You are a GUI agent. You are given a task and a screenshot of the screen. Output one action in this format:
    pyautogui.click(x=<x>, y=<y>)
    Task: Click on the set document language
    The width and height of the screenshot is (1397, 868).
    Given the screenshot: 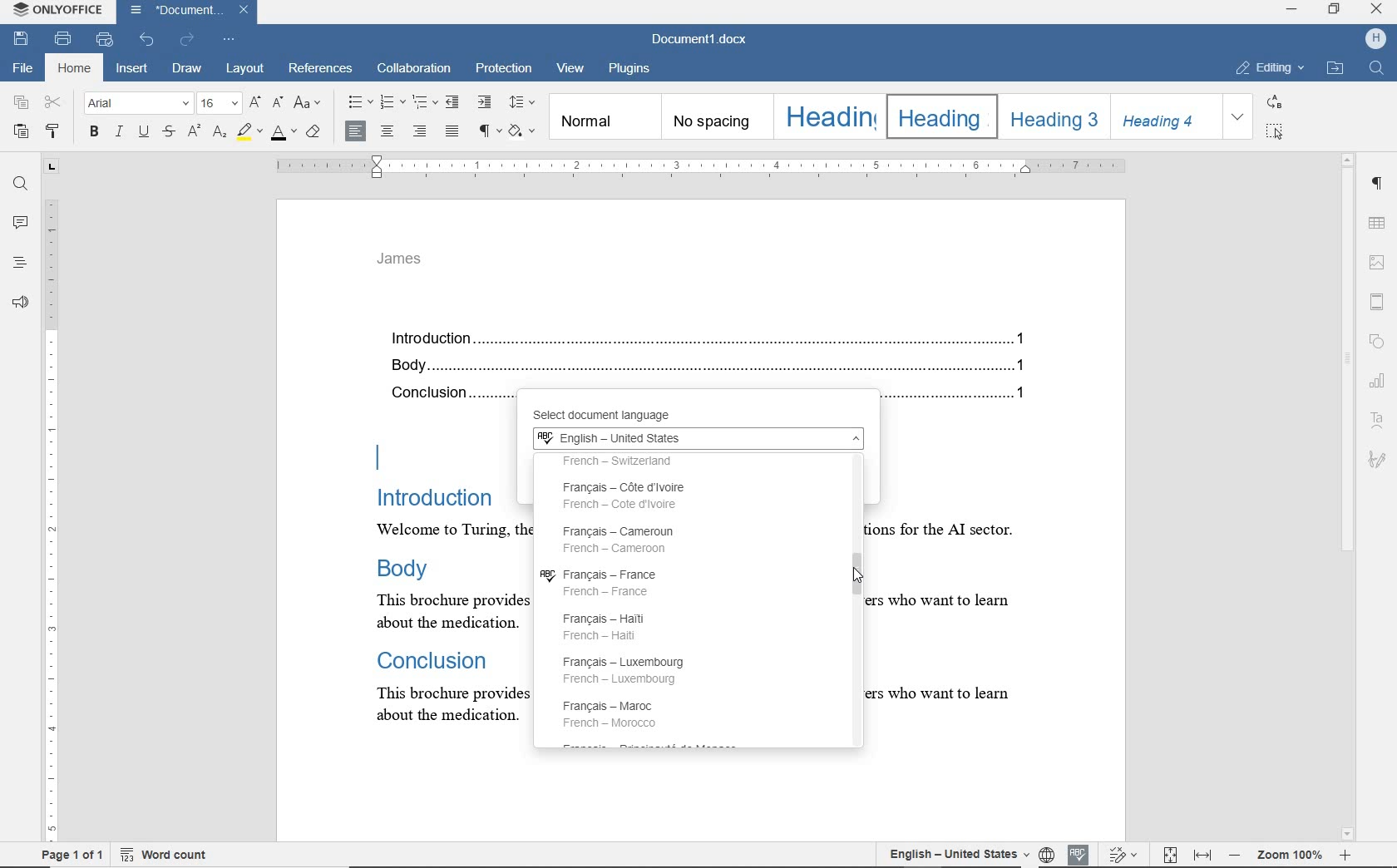 What is the action you would take?
    pyautogui.click(x=950, y=853)
    